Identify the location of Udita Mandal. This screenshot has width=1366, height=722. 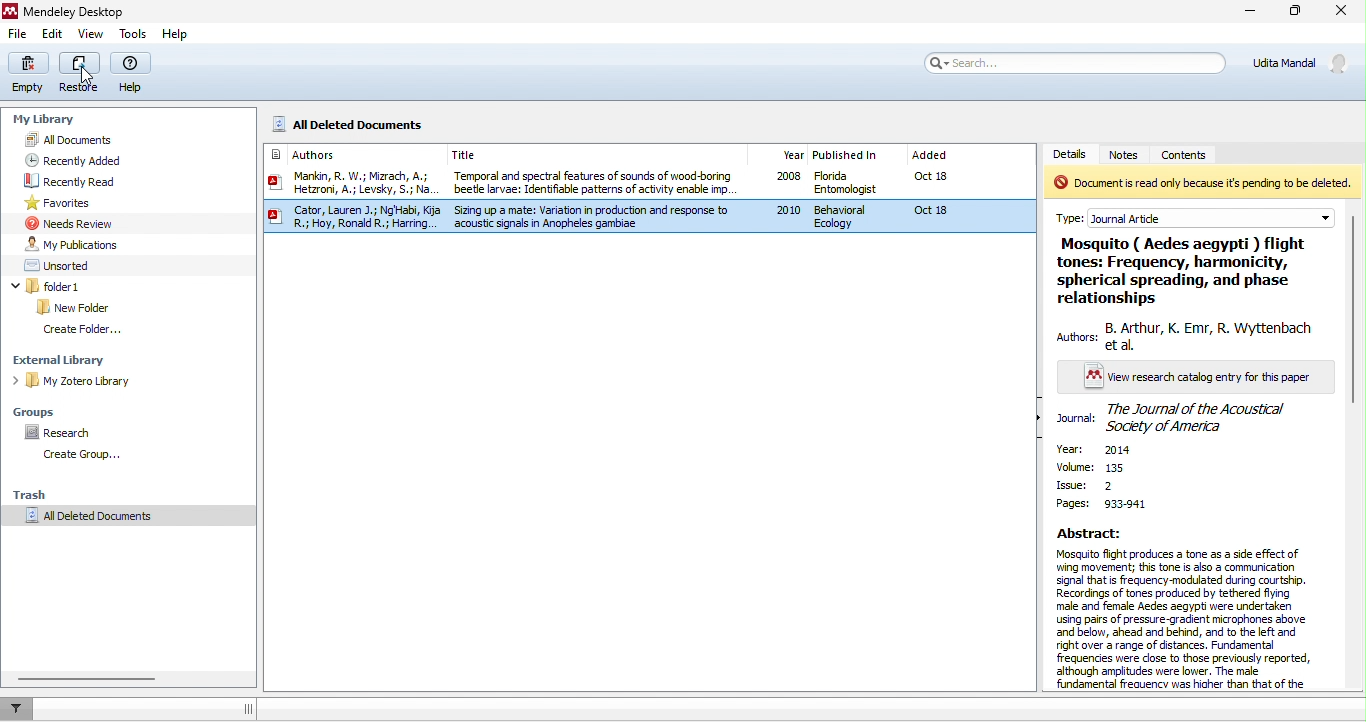
(1305, 63).